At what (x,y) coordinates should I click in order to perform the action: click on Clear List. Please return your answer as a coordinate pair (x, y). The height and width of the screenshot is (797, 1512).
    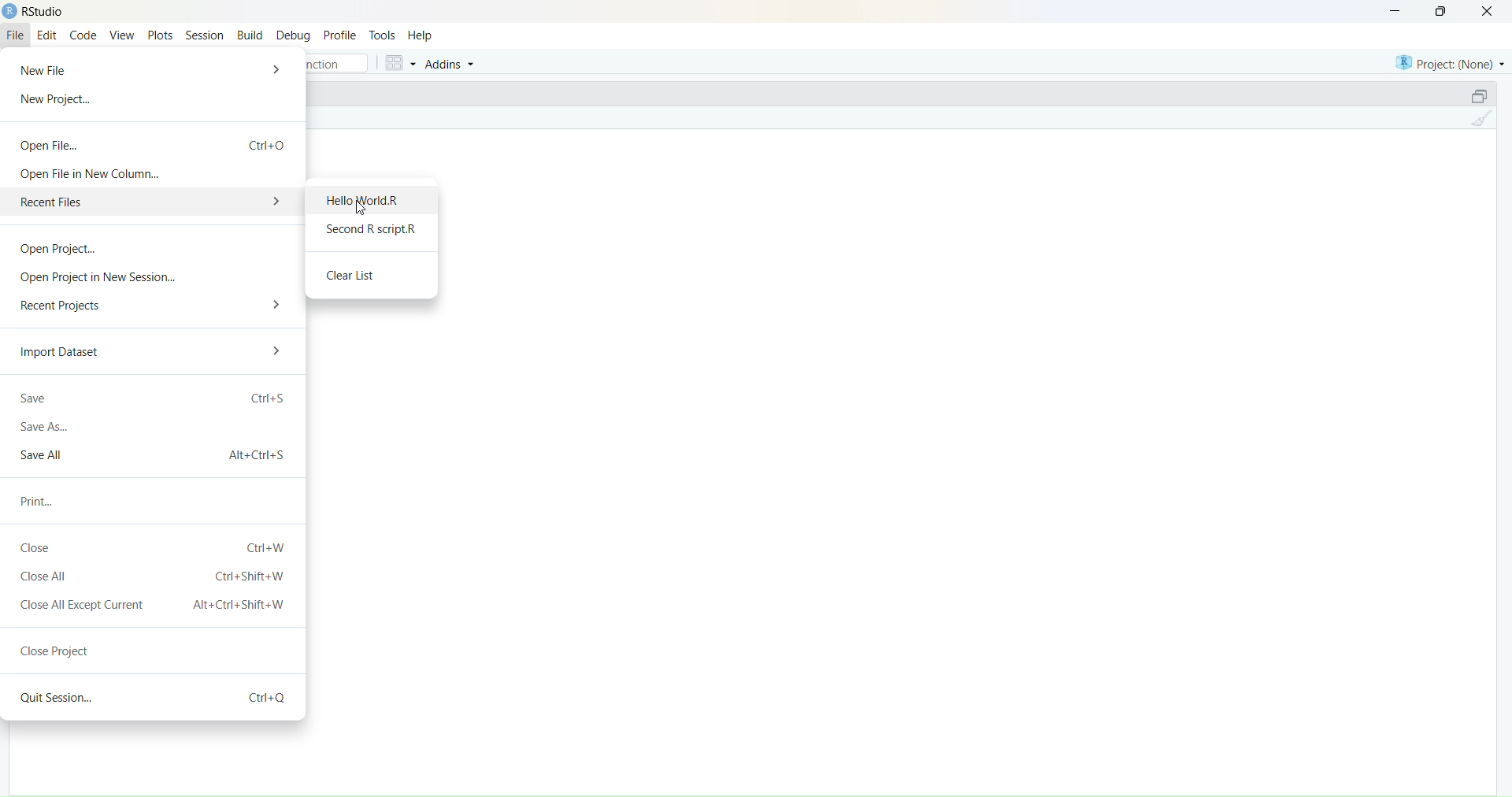
    Looking at the image, I should click on (374, 275).